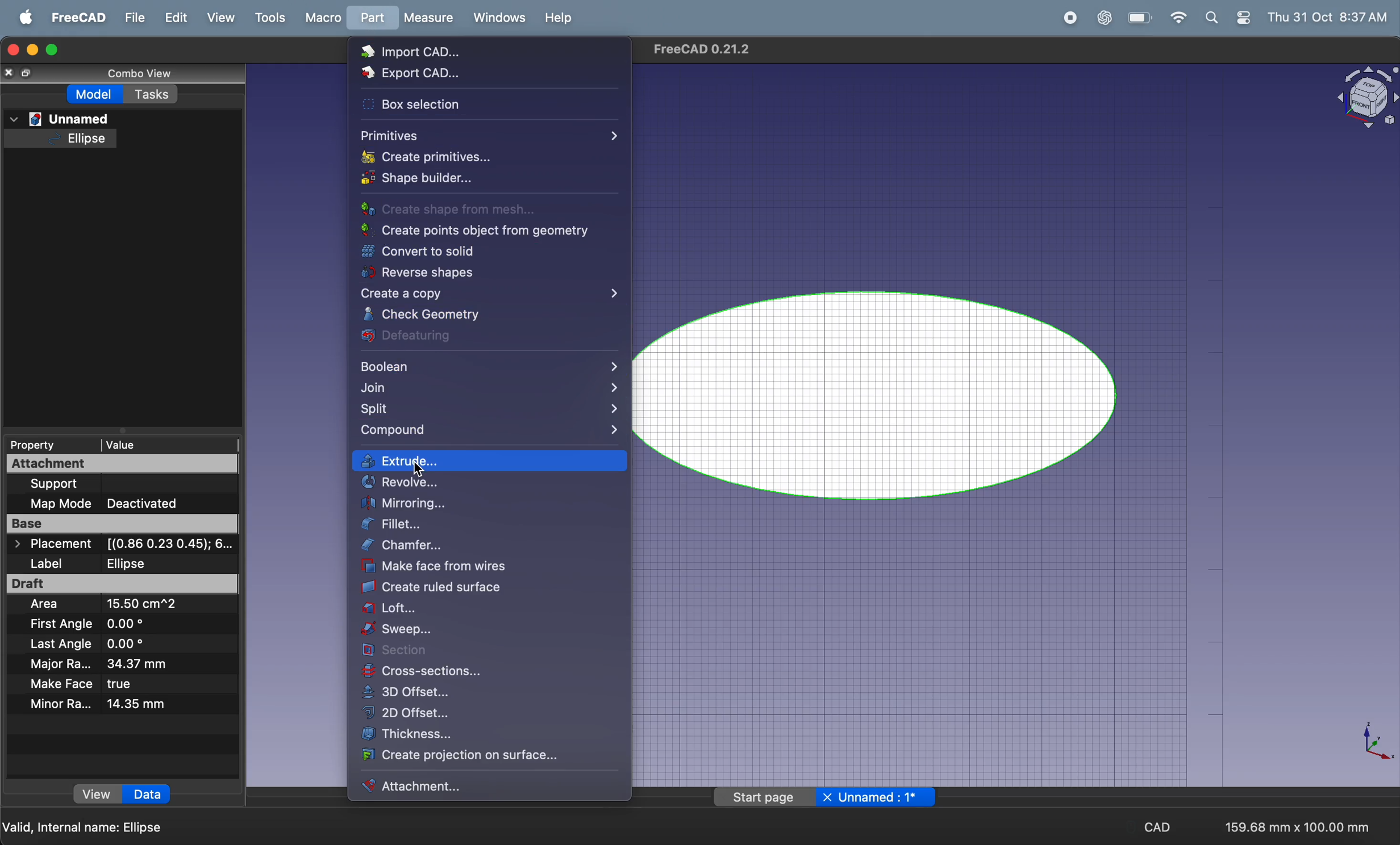 The height and width of the screenshot is (845, 1400). What do you see at coordinates (118, 606) in the screenshot?
I see `area` at bounding box center [118, 606].